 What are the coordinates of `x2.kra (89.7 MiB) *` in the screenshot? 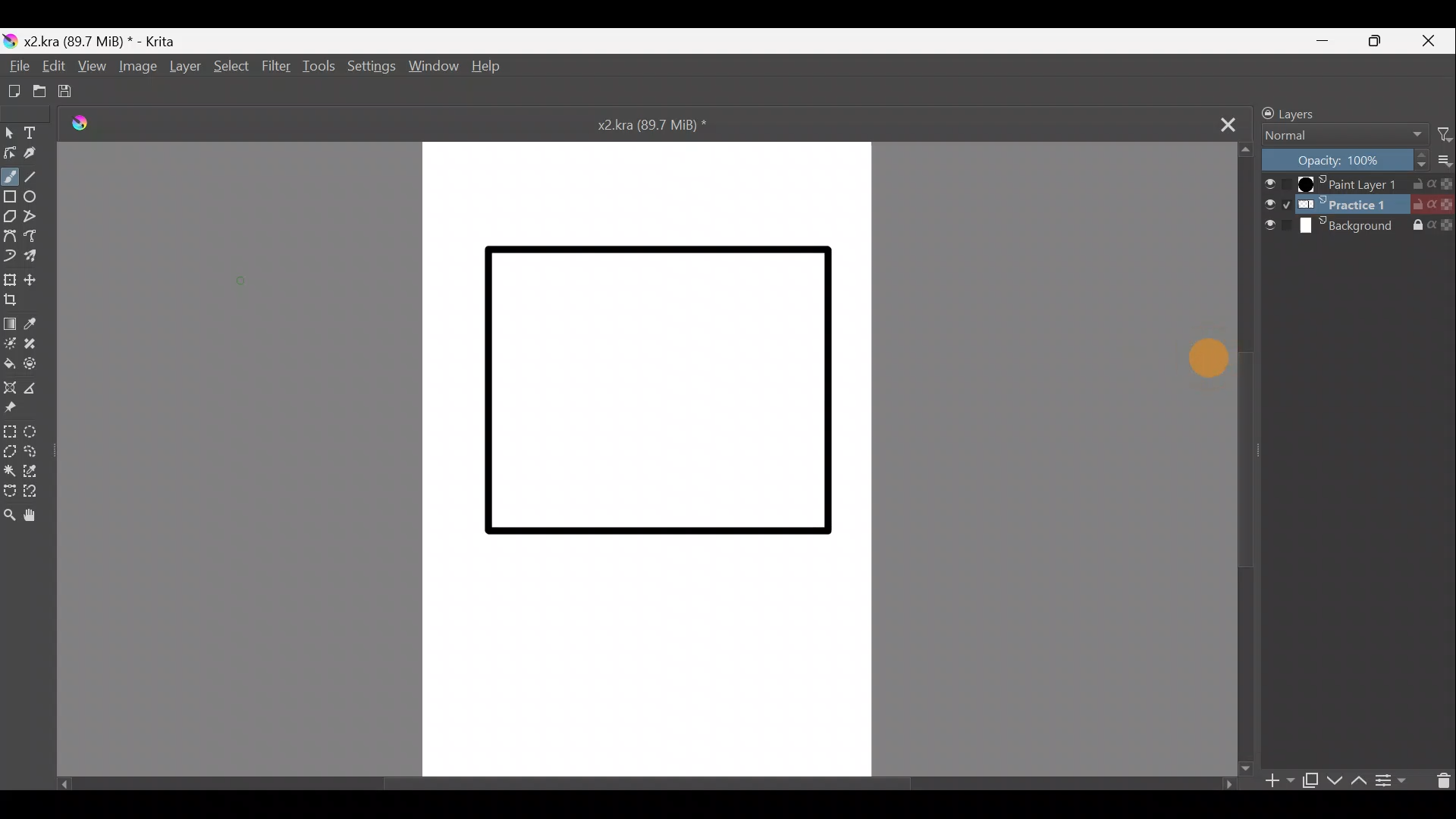 It's located at (102, 40).